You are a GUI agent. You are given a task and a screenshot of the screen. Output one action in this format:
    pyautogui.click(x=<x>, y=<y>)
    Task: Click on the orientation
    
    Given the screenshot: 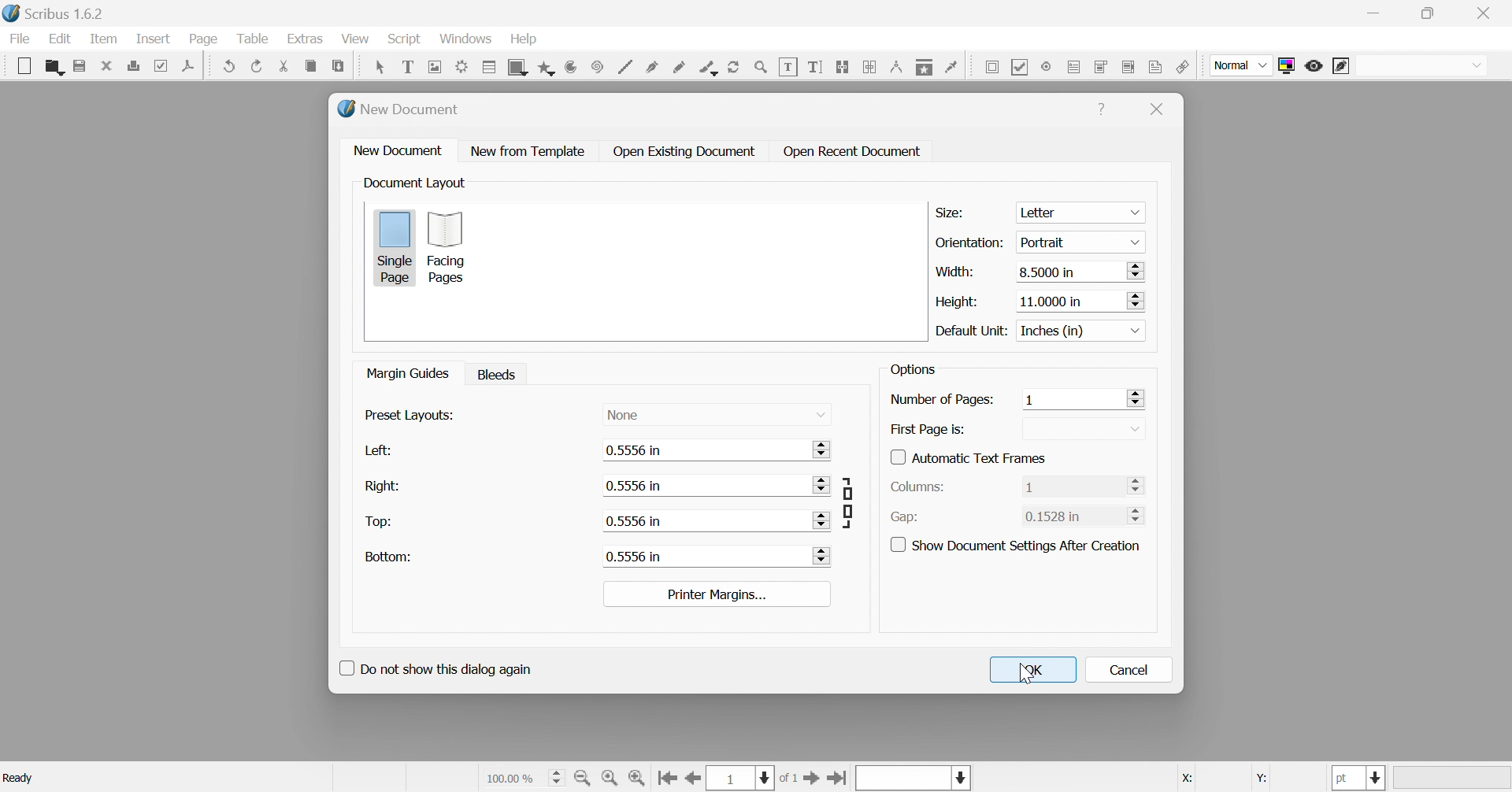 What is the action you would take?
    pyautogui.click(x=969, y=242)
    